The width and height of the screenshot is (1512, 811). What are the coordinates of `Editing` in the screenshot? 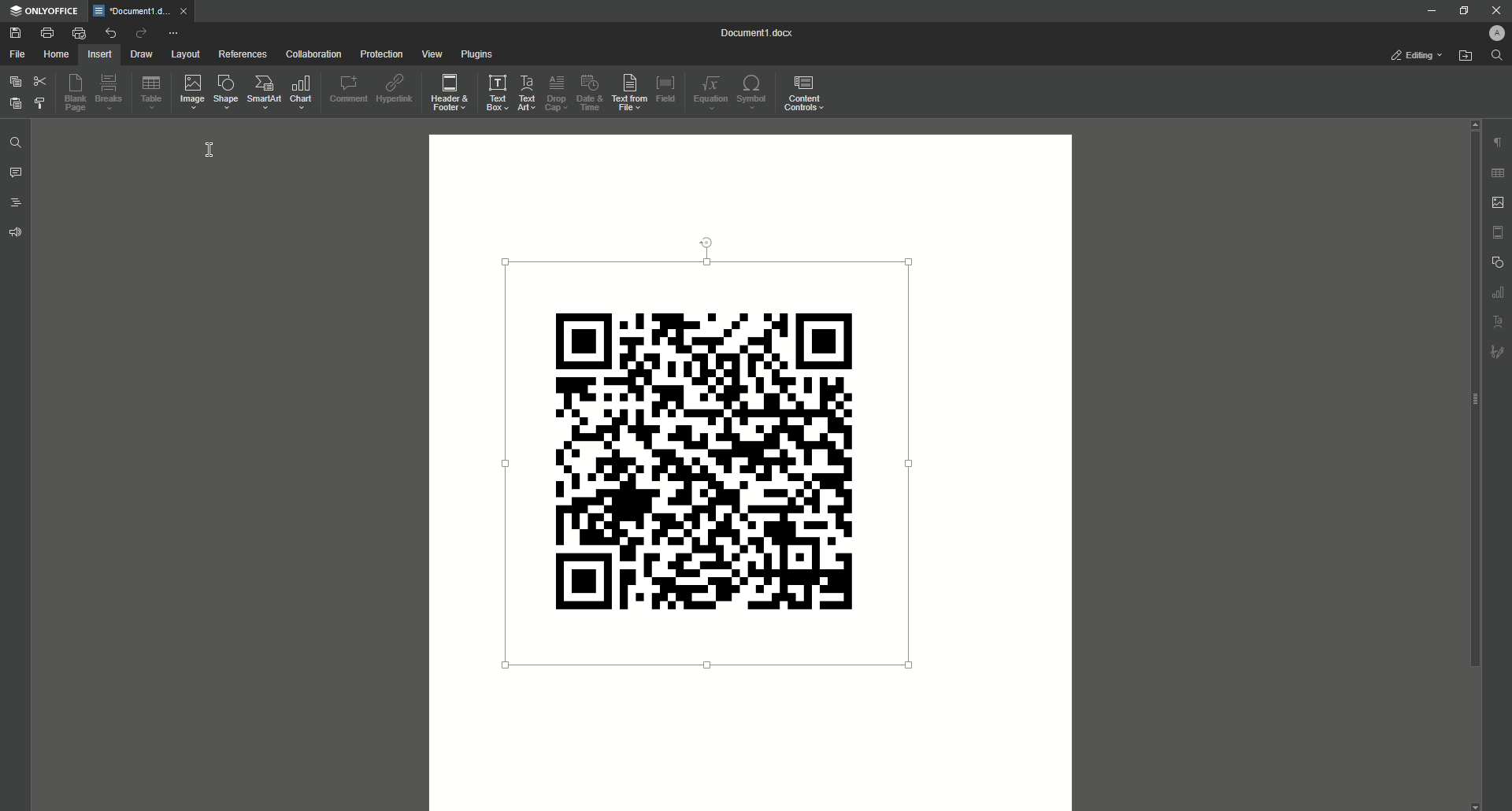 It's located at (1414, 54).